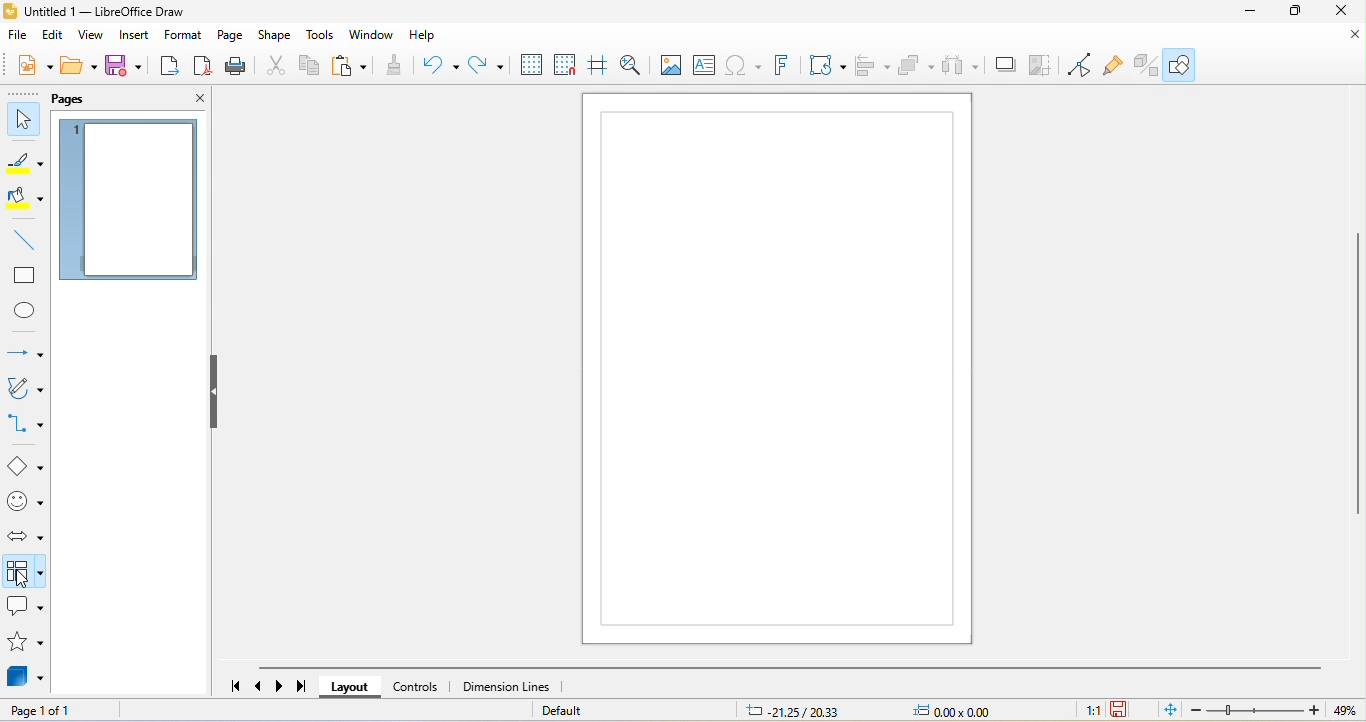  What do you see at coordinates (1009, 65) in the screenshot?
I see `shadow` at bounding box center [1009, 65].